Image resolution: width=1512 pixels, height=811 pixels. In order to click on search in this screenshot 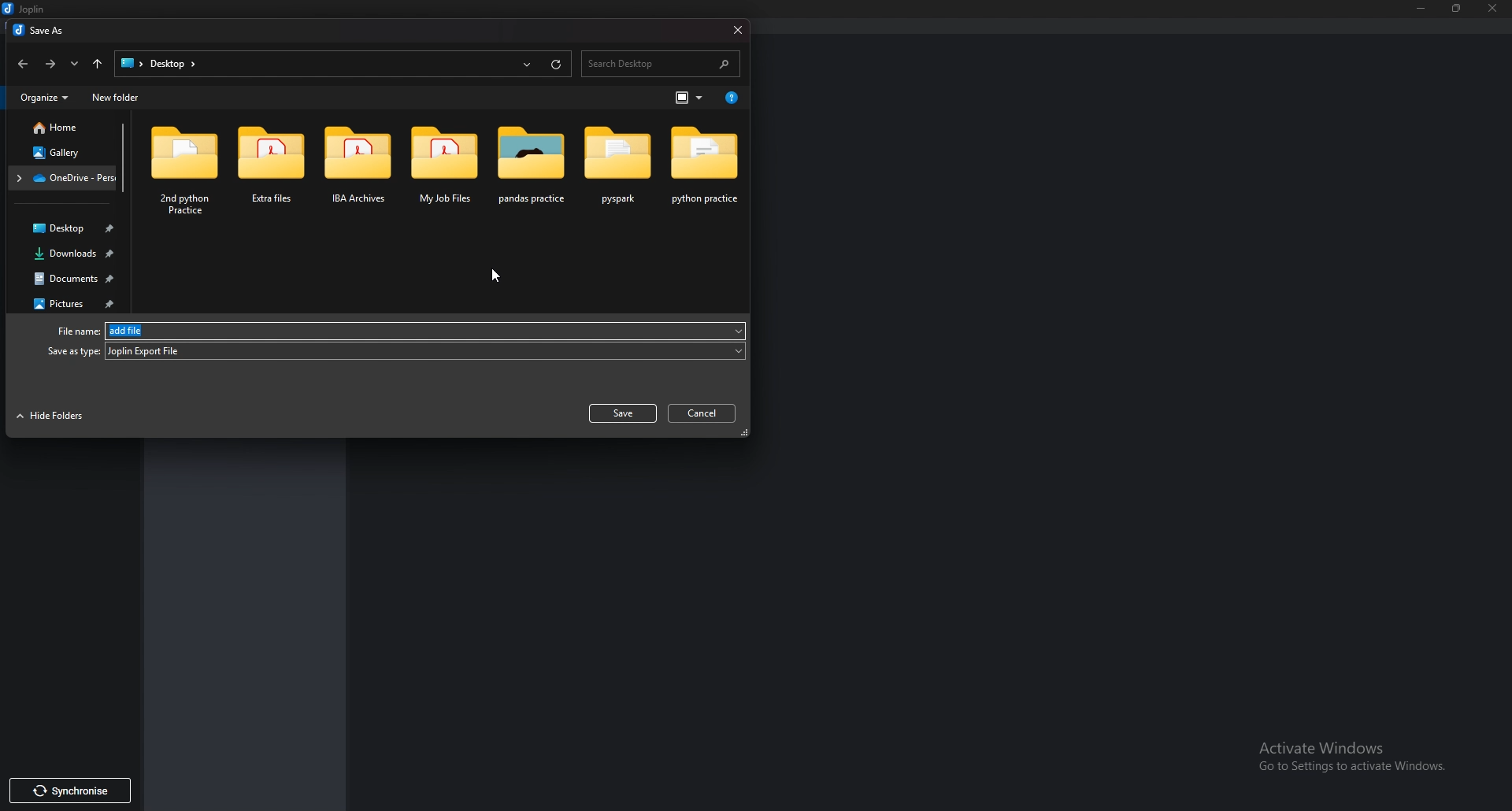, I will do `click(661, 64)`.